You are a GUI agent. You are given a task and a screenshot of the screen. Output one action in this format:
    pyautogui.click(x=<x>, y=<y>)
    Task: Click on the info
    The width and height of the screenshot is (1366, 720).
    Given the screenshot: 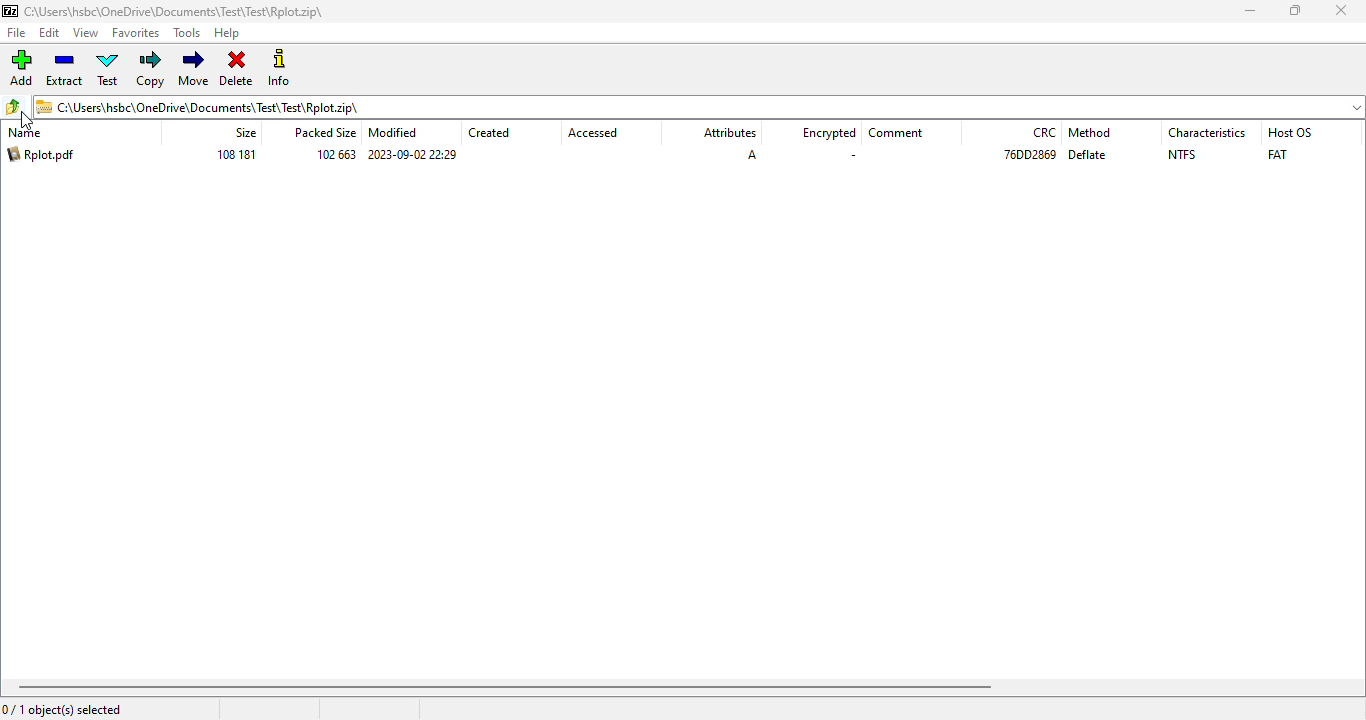 What is the action you would take?
    pyautogui.click(x=282, y=69)
    